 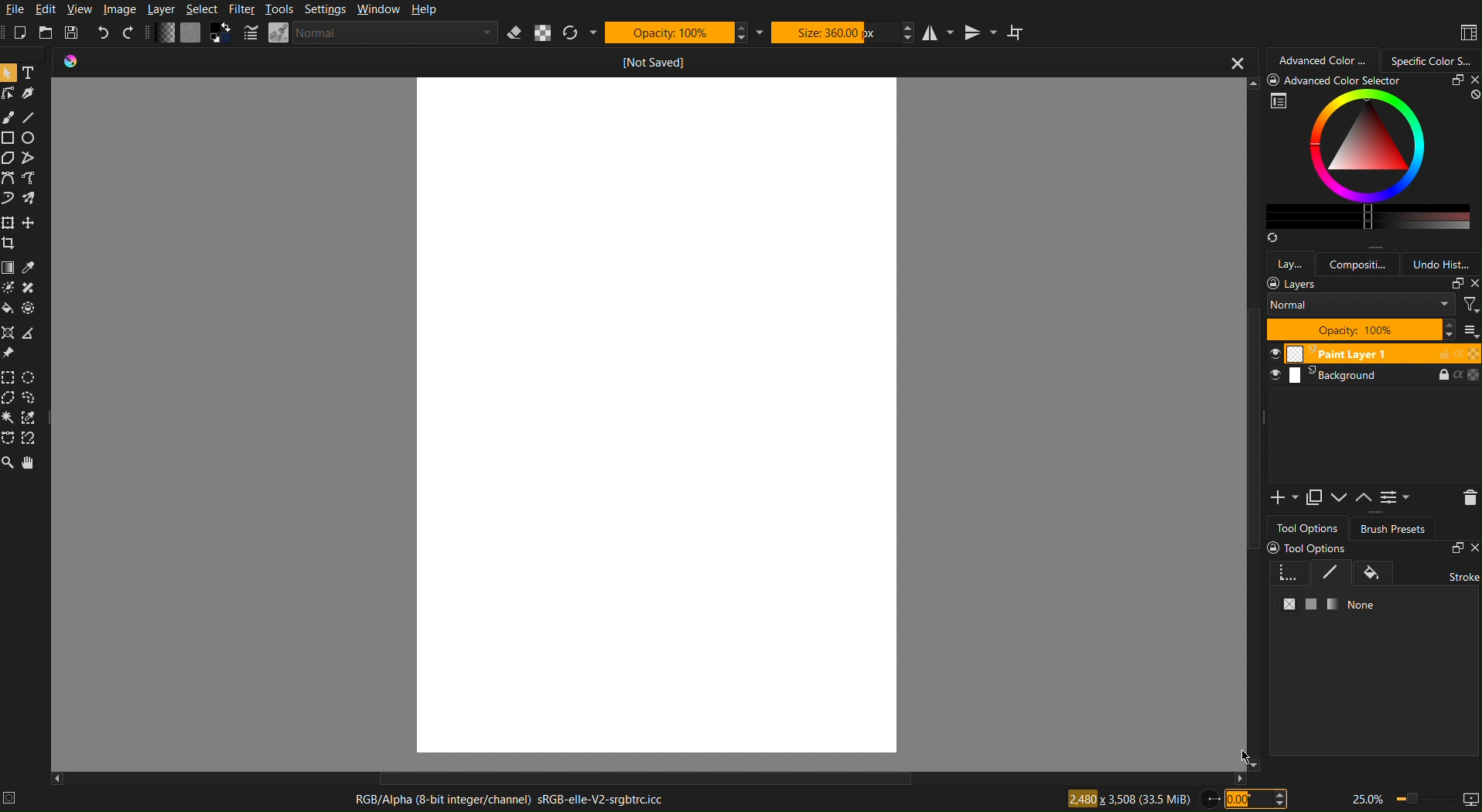 I want to click on Canvas Size, so click(x=1127, y=800).